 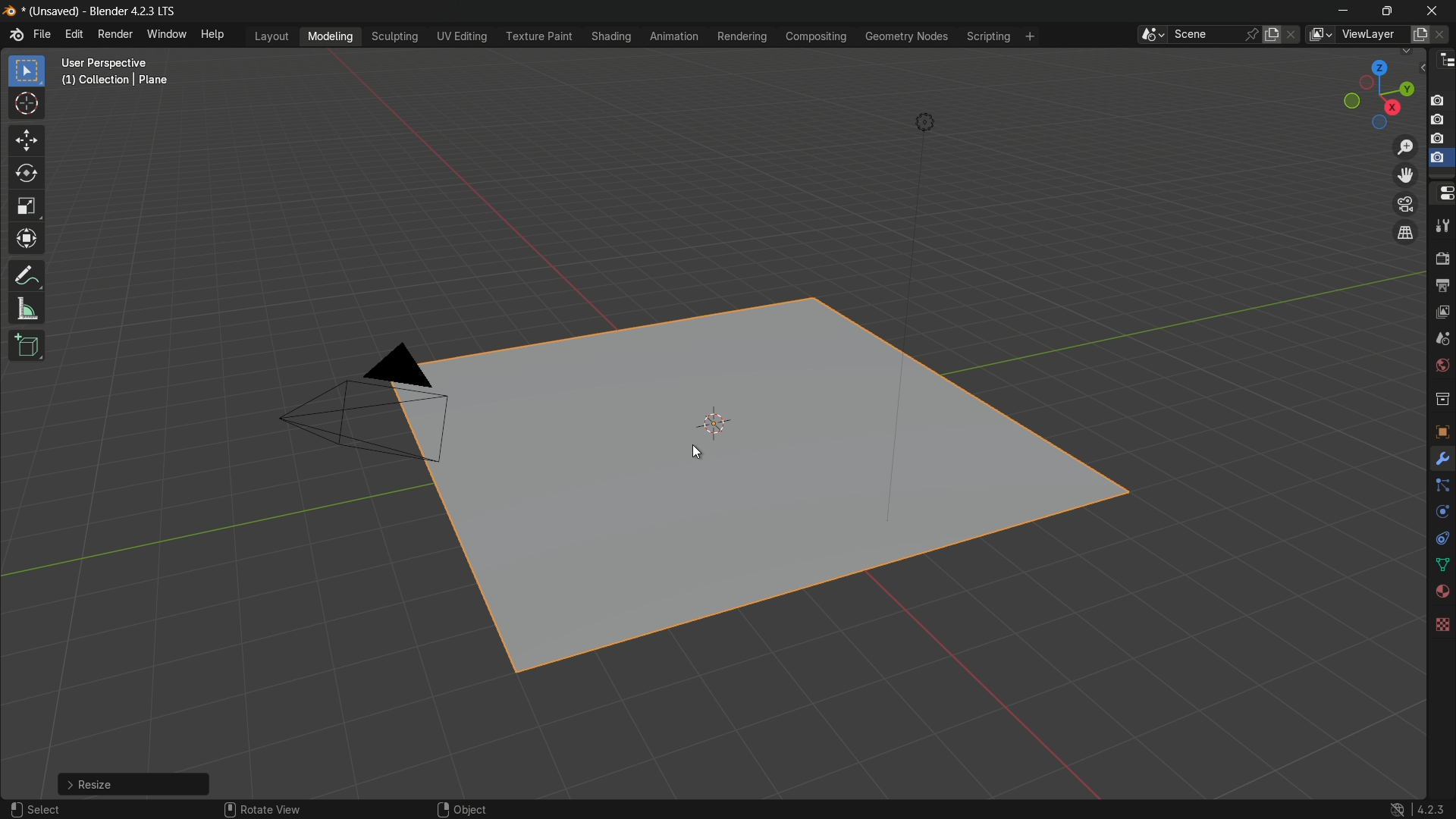 What do you see at coordinates (716, 488) in the screenshot?
I see `plane scaled` at bounding box center [716, 488].